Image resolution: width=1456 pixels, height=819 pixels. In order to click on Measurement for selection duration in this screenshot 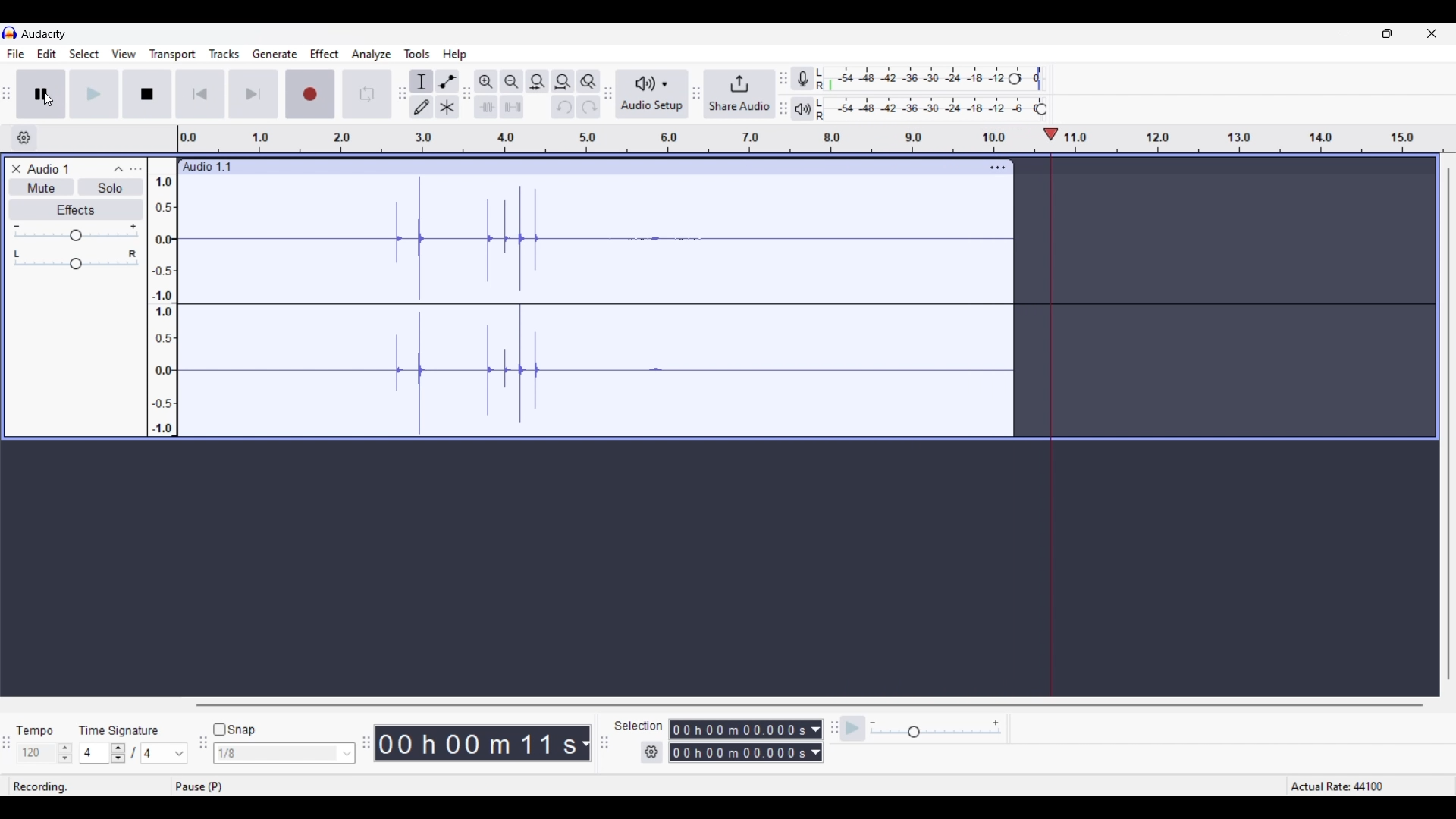, I will do `click(816, 741)`.